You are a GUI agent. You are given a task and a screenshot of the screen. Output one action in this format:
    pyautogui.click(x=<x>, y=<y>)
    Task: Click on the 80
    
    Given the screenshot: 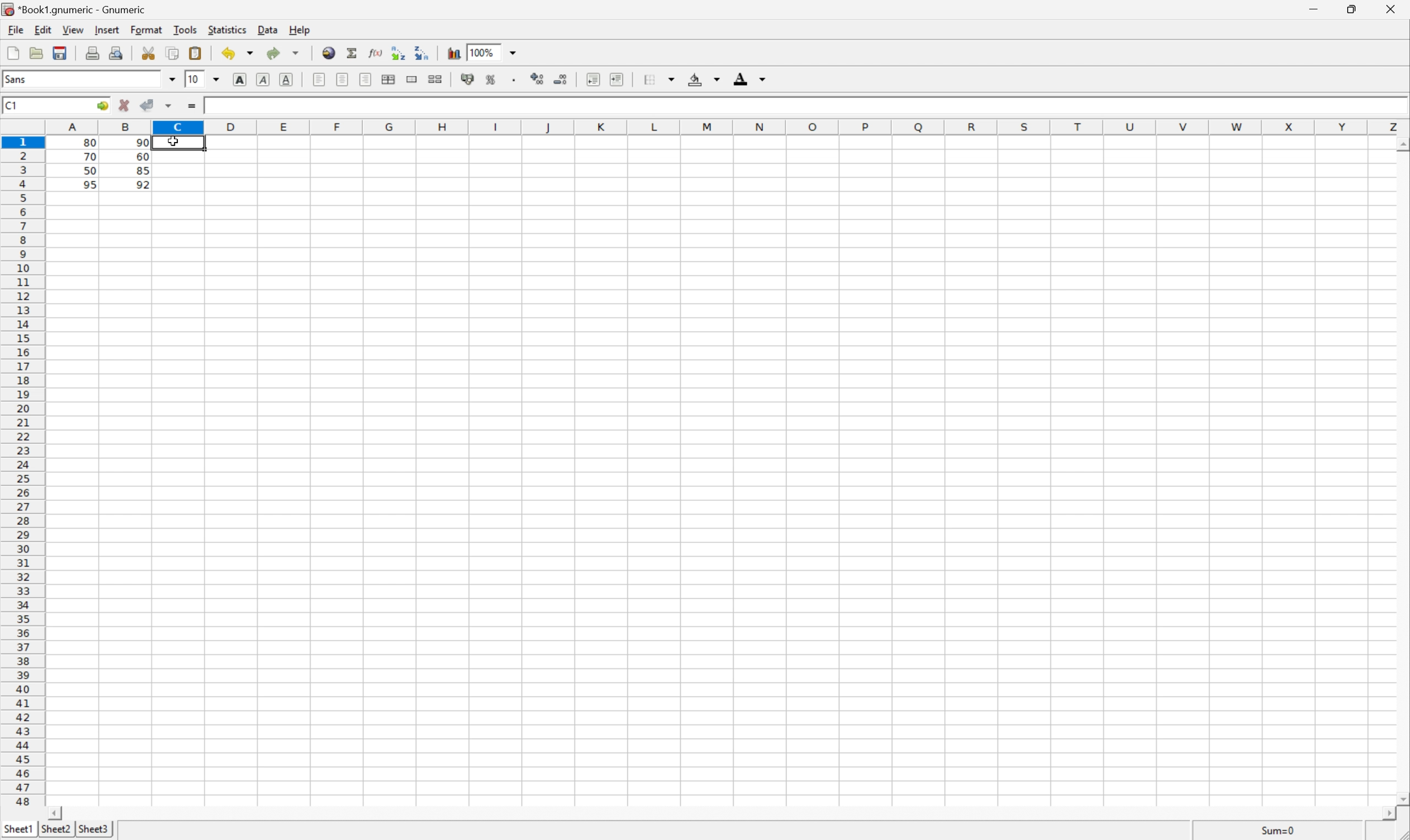 What is the action you would take?
    pyautogui.click(x=93, y=140)
    